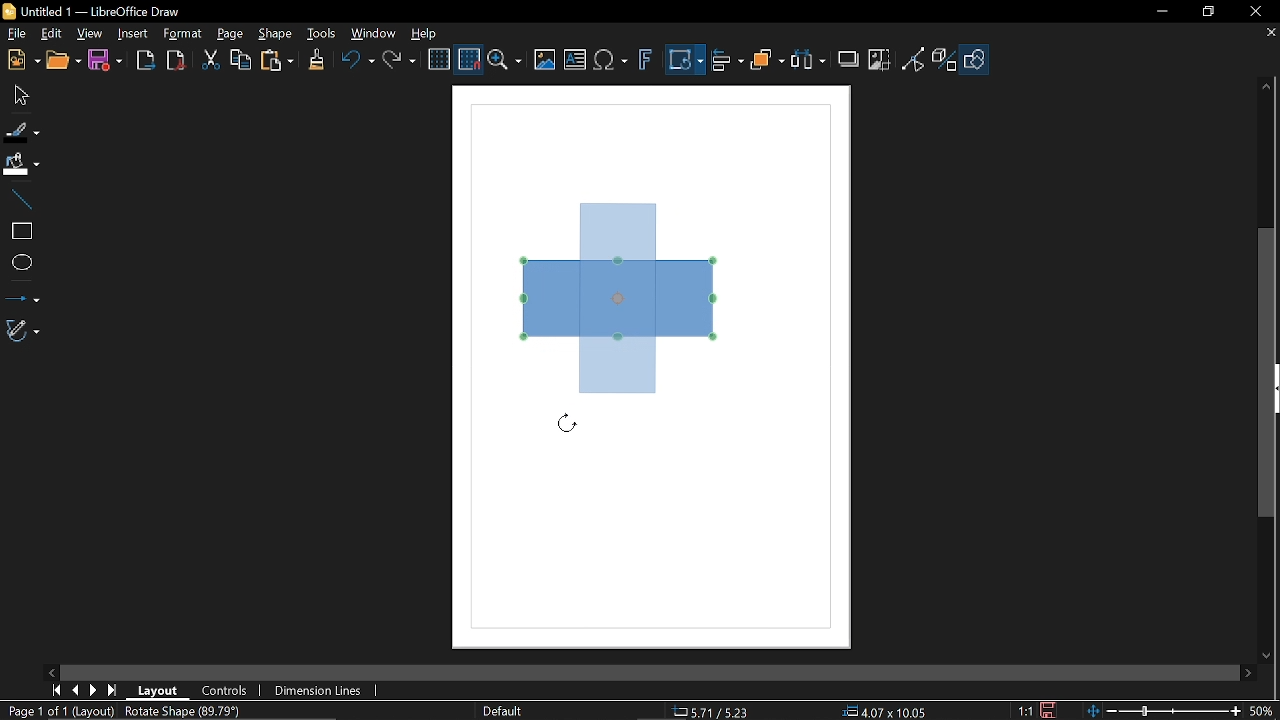  What do you see at coordinates (850, 57) in the screenshot?
I see `Shadow` at bounding box center [850, 57].